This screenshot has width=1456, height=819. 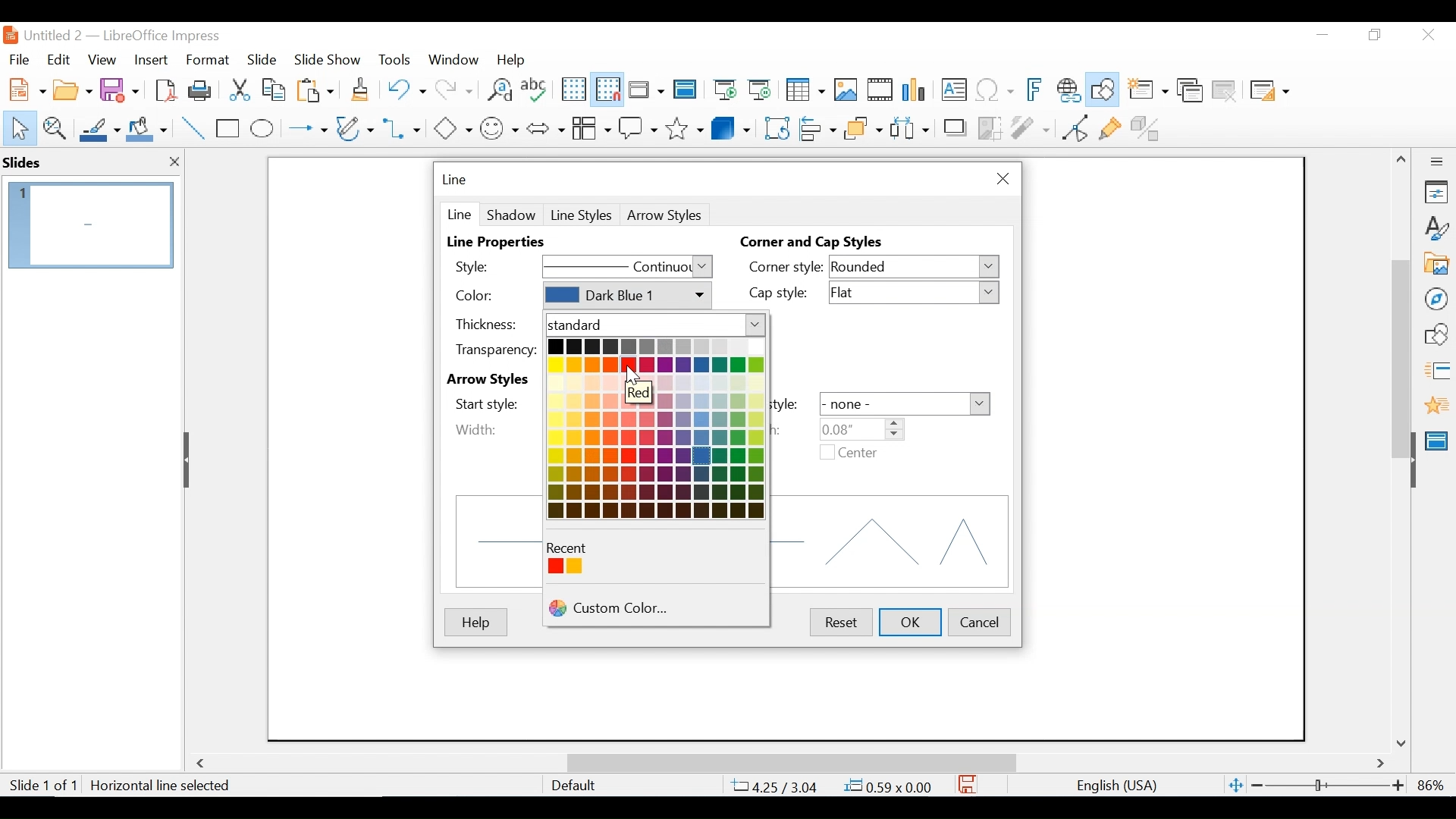 I want to click on Scroll Right, so click(x=1381, y=764).